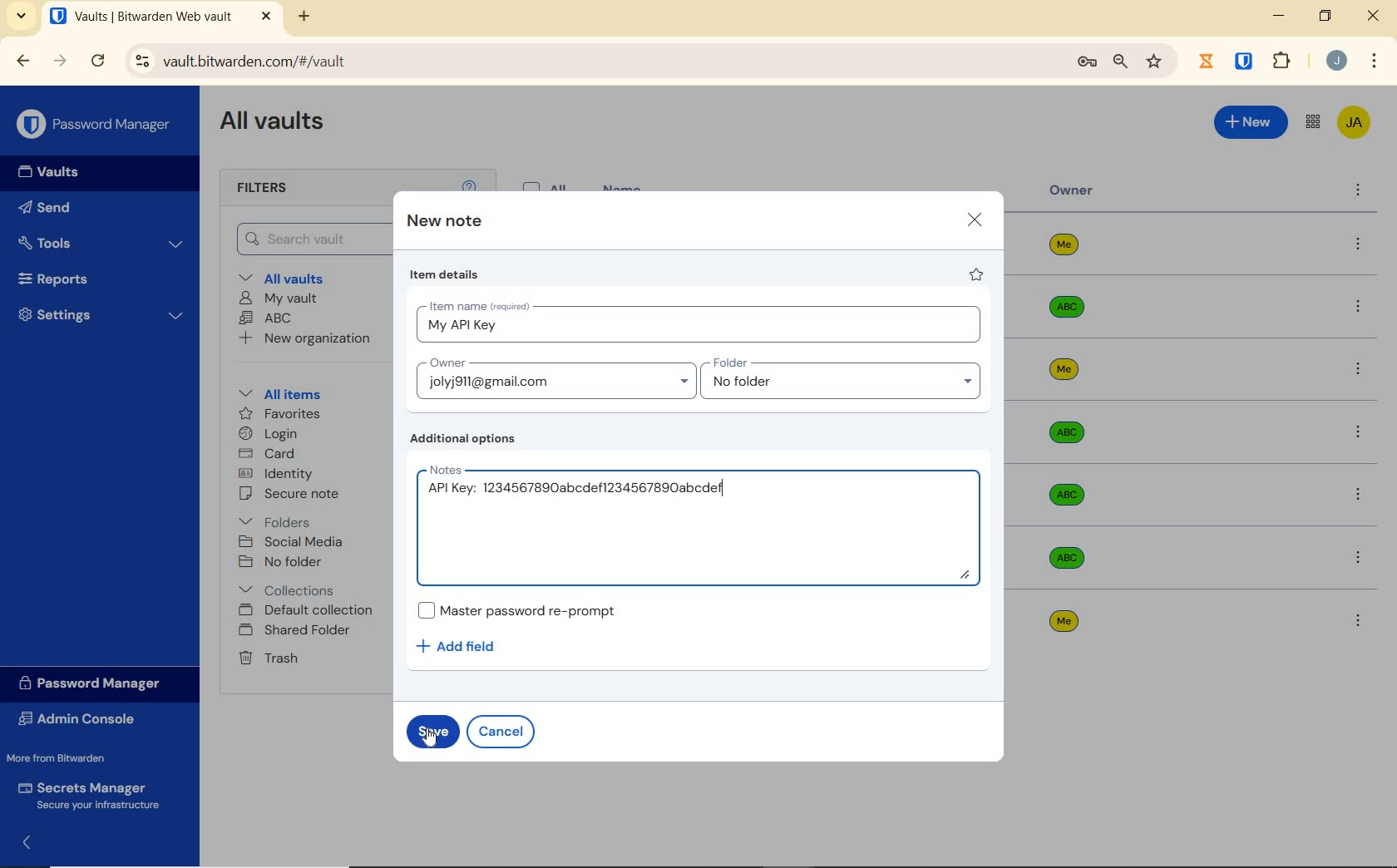  I want to click on No folder, so click(284, 562).